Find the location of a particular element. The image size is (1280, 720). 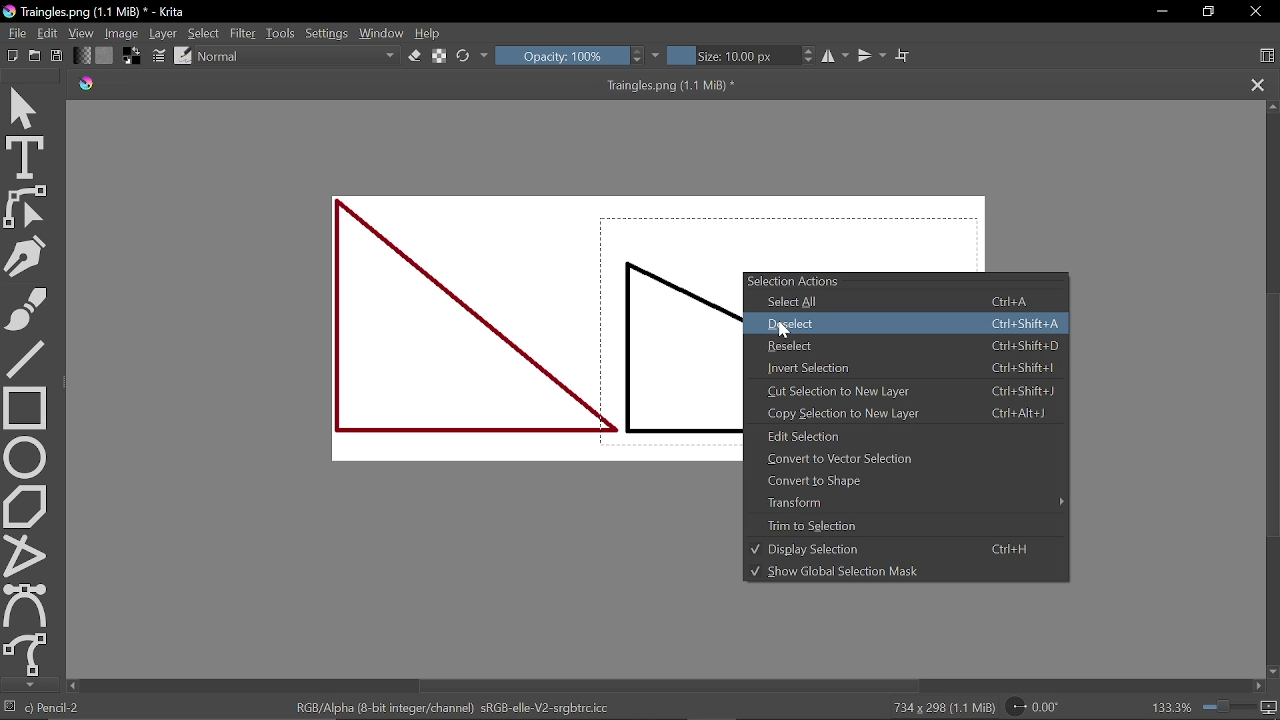

Line tool is located at coordinates (28, 359).